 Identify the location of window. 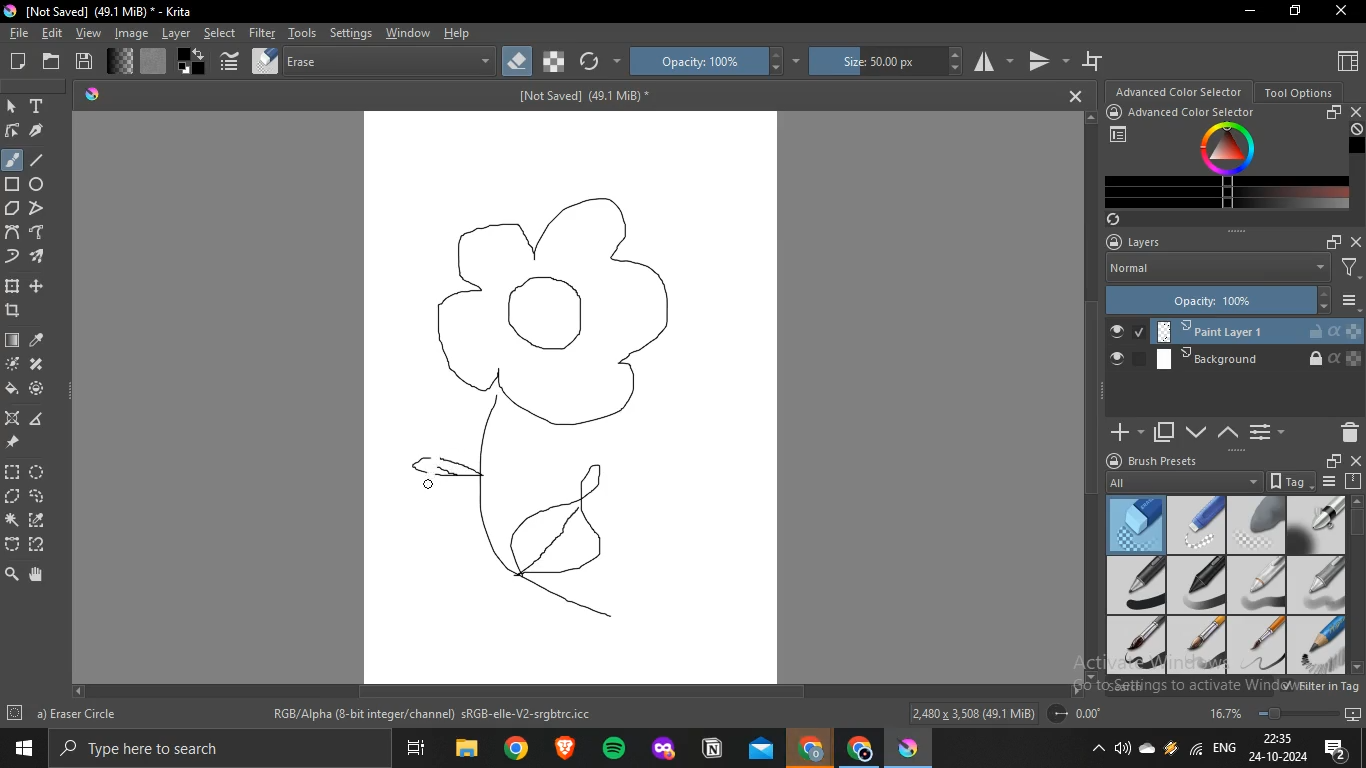
(406, 33).